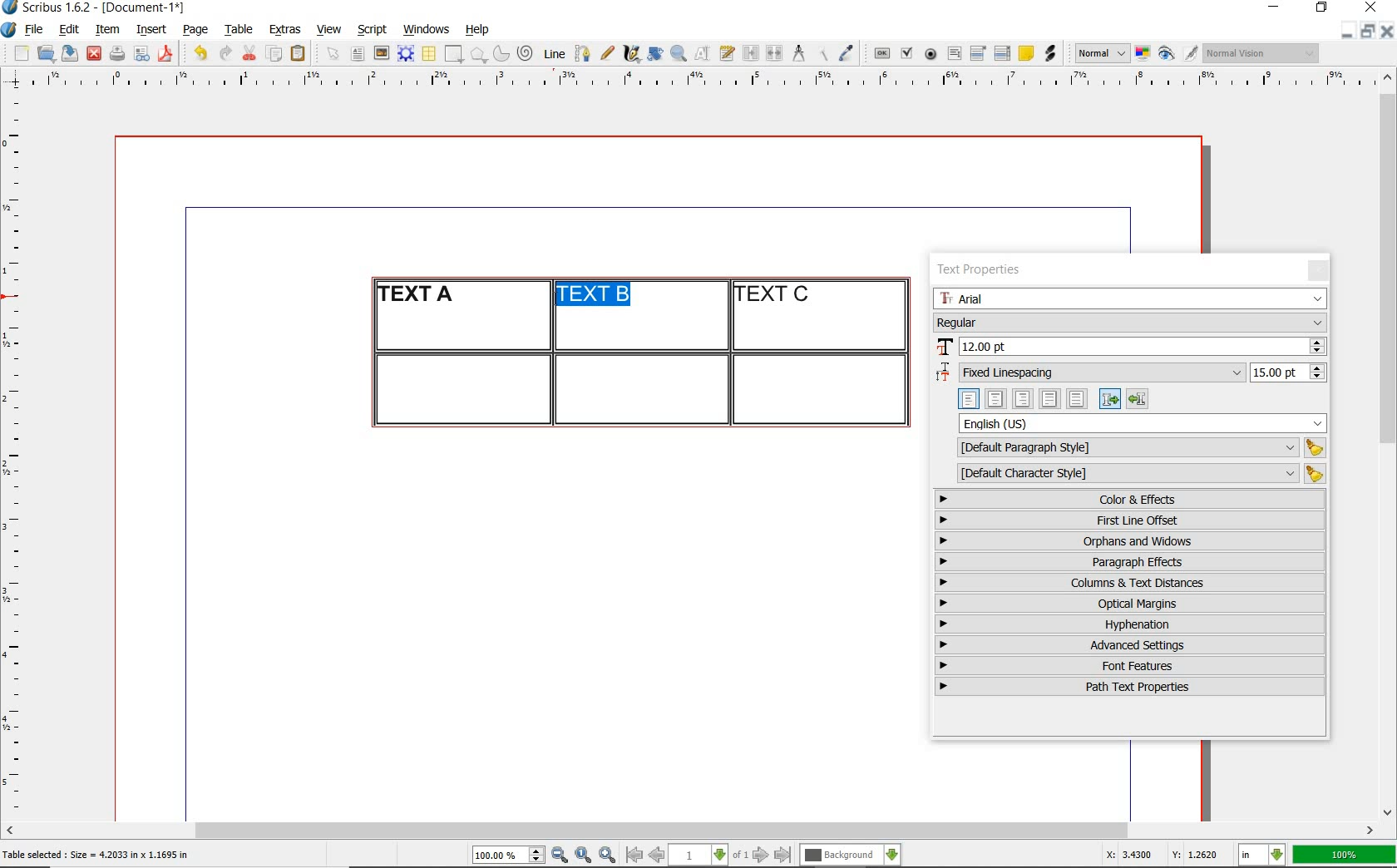 This screenshot has width=1397, height=868. Describe the element at coordinates (1130, 348) in the screenshot. I see `font size` at that location.